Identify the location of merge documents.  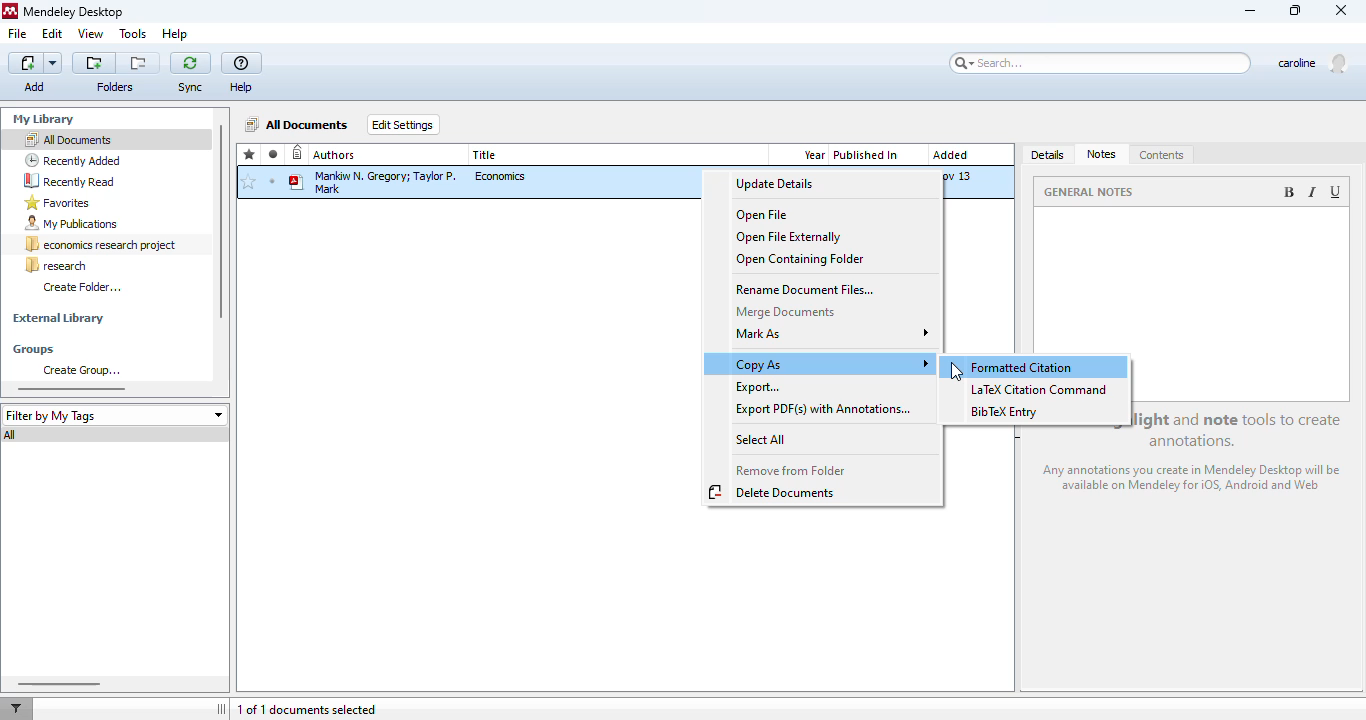
(785, 312).